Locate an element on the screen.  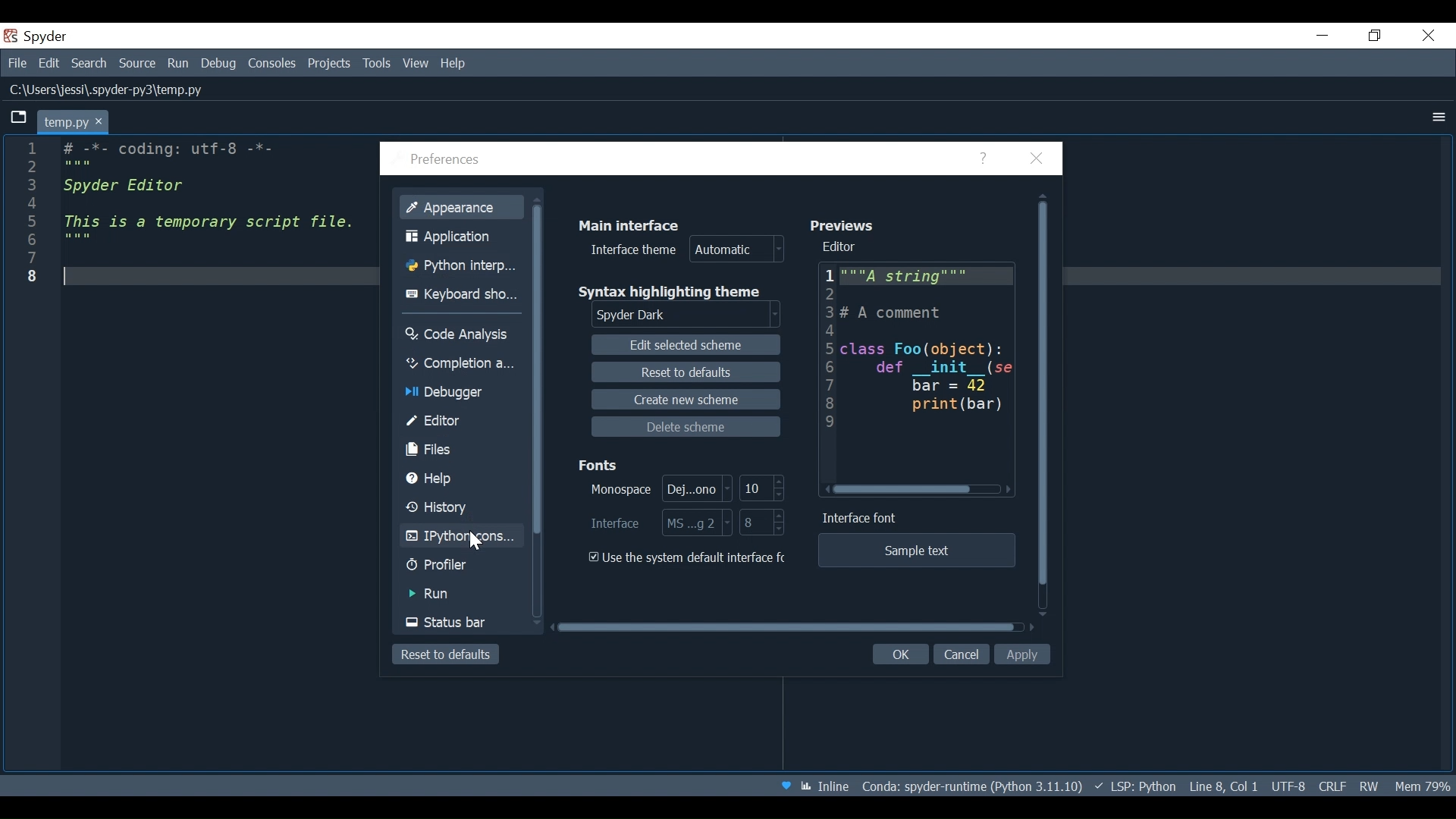
Conda Environment Indicator is located at coordinates (997, 785).